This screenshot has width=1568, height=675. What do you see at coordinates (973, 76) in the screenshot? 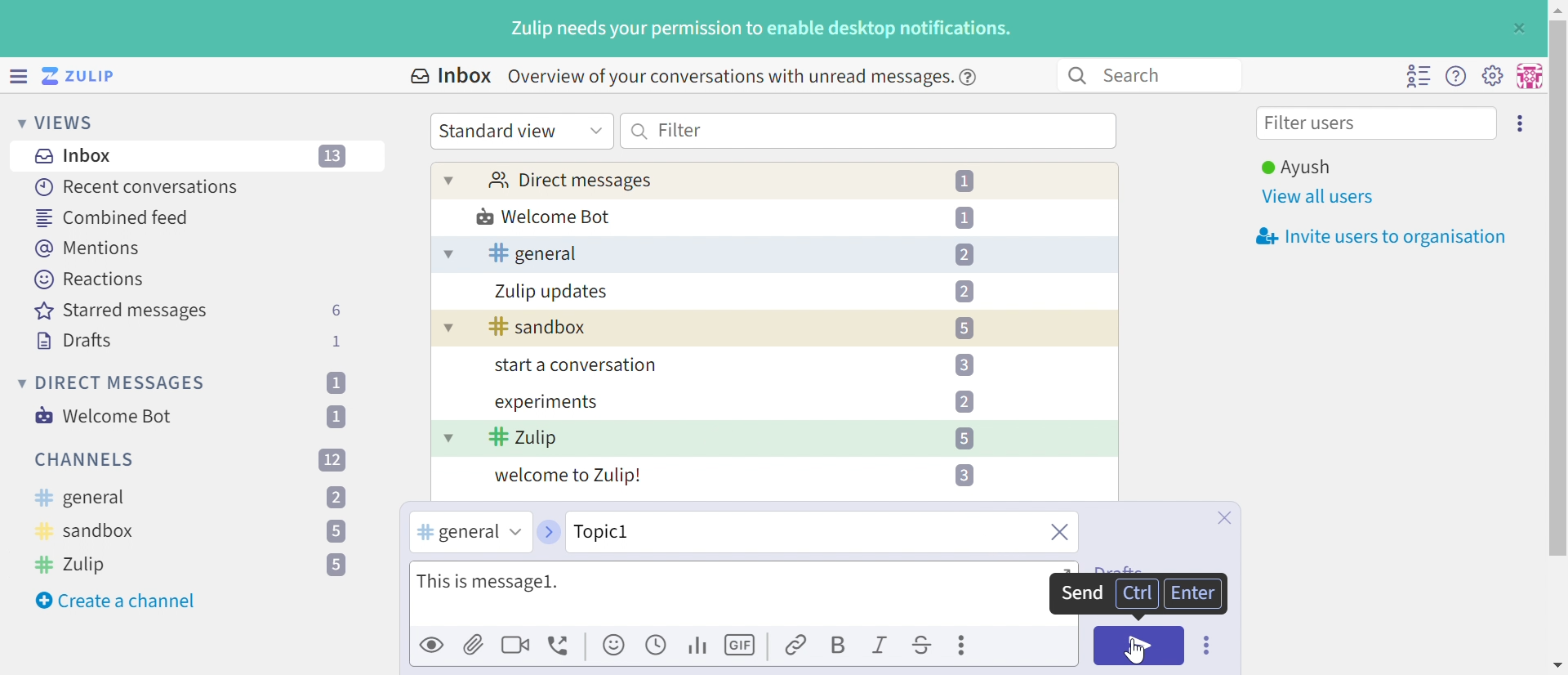
I see `Help Center` at bounding box center [973, 76].